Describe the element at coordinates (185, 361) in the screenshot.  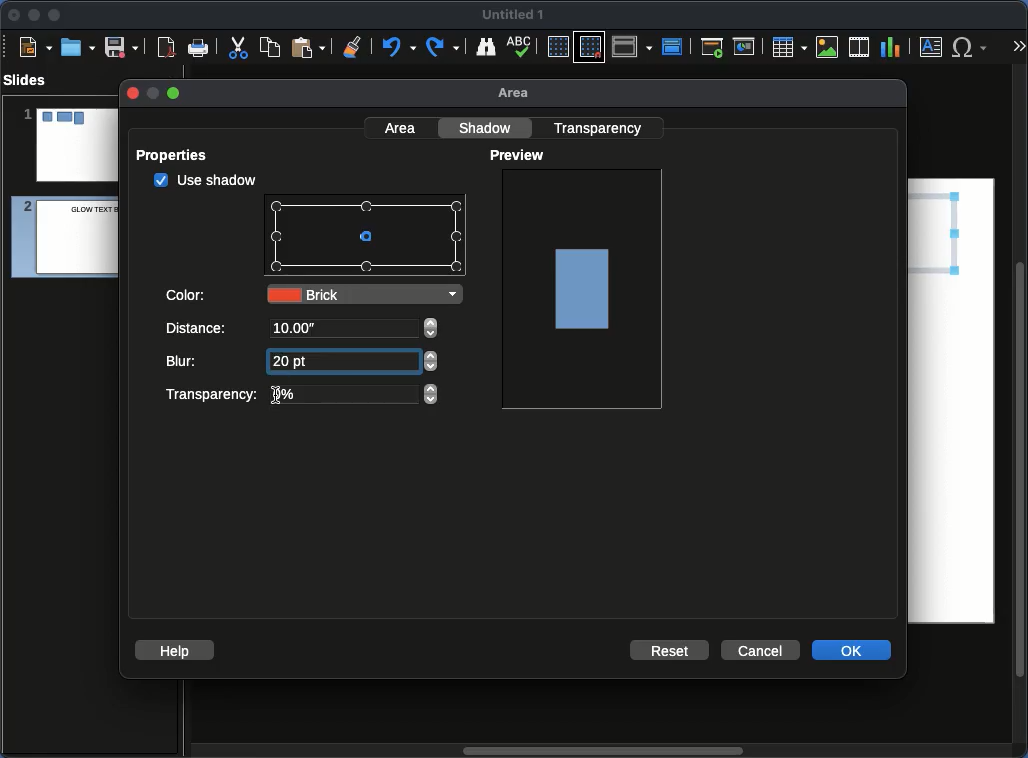
I see `Blur` at that location.